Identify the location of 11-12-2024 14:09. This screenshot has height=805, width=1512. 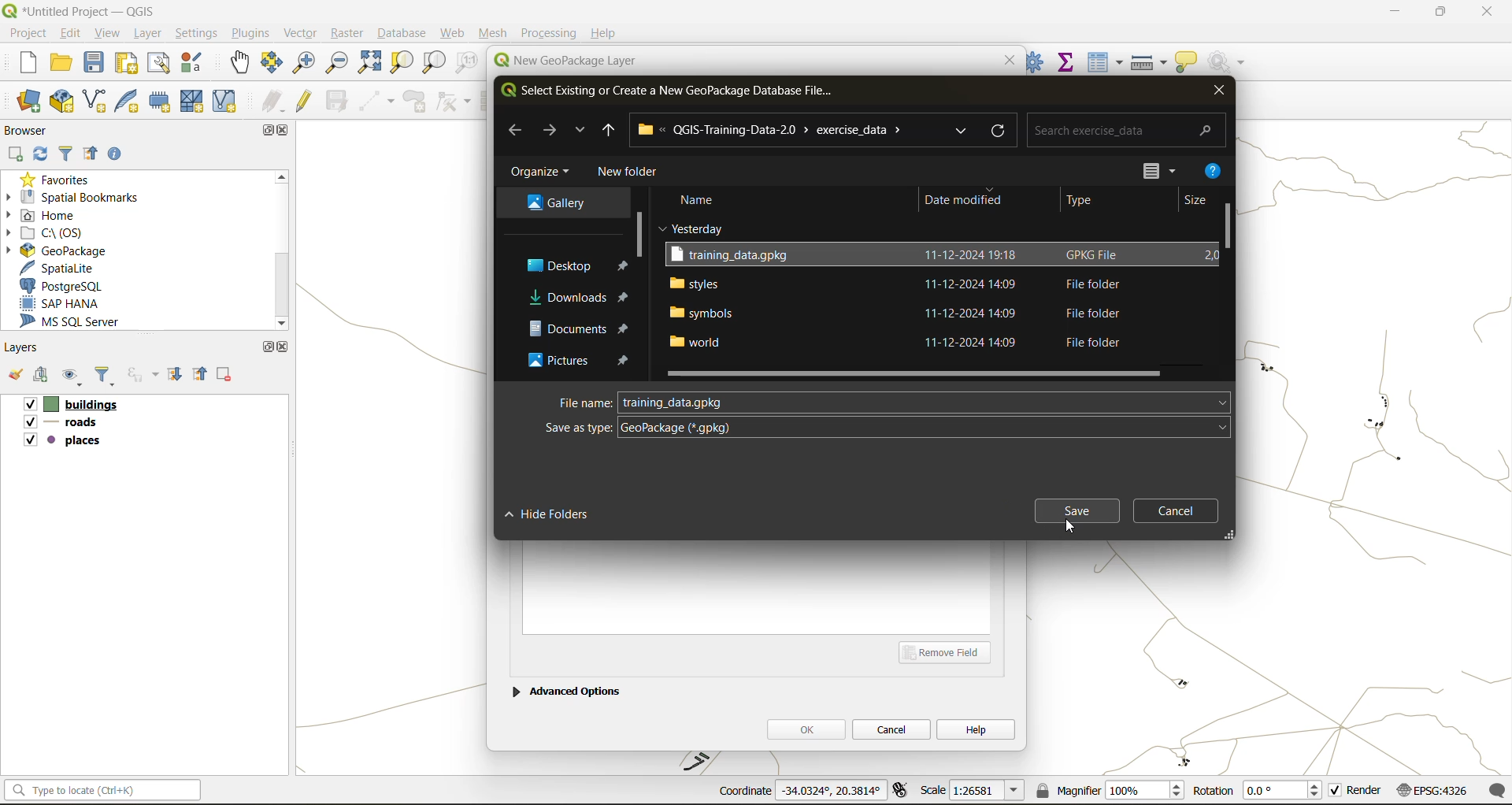
(976, 284).